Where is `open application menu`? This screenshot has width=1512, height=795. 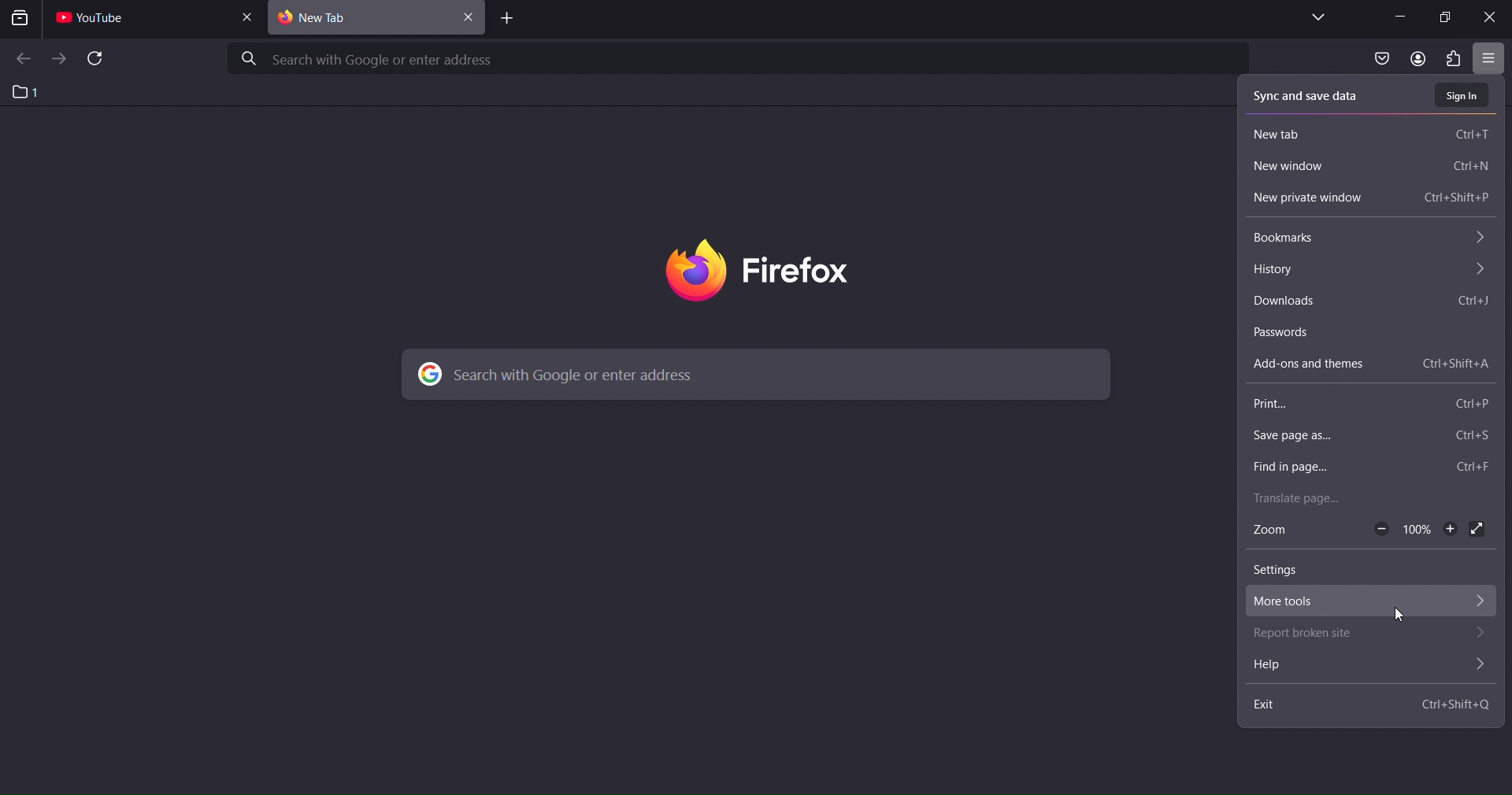
open application menu is located at coordinates (1488, 60).